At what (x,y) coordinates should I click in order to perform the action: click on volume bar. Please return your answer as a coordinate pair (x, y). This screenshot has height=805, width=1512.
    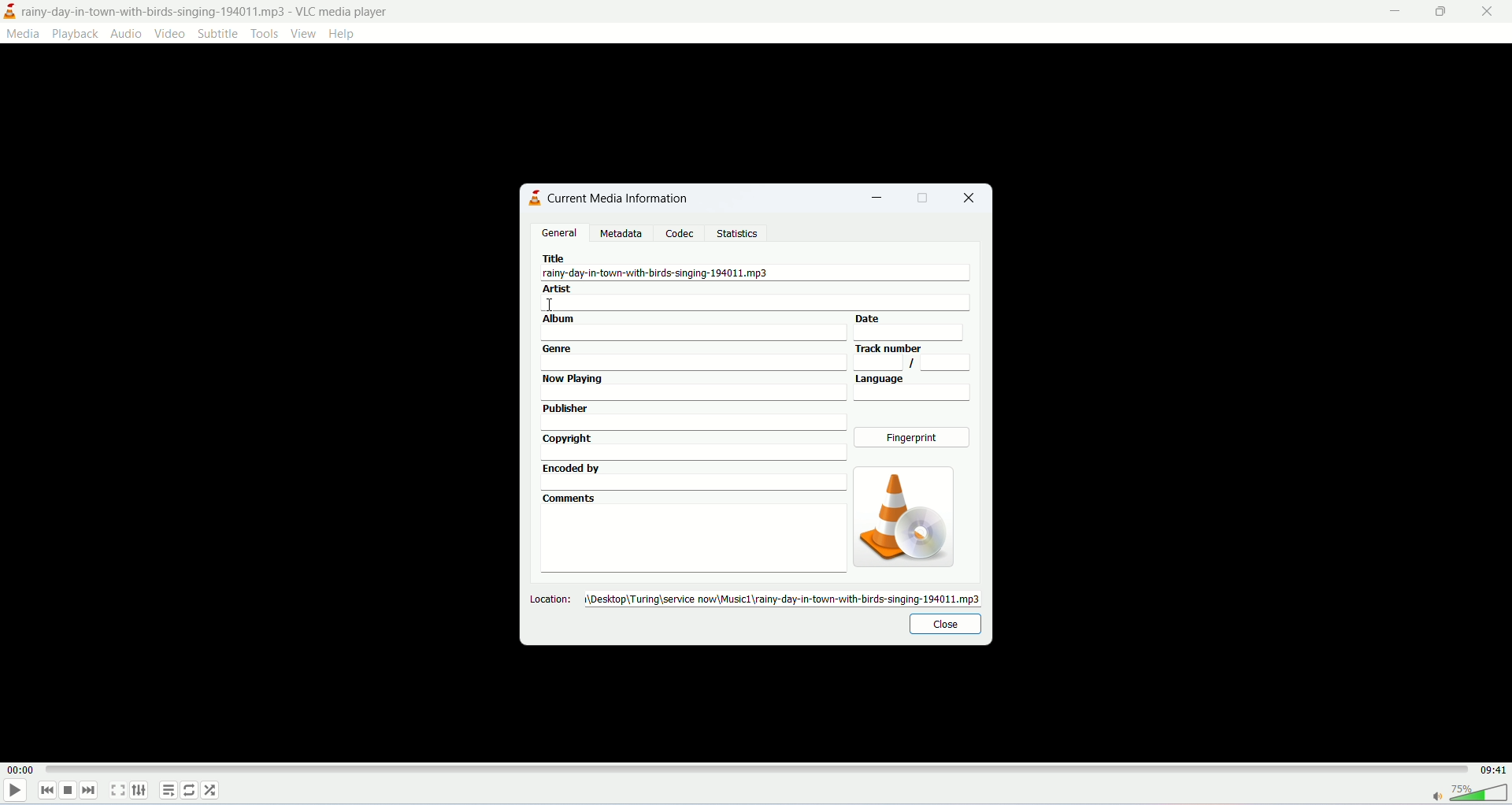
    Looking at the image, I should click on (1466, 794).